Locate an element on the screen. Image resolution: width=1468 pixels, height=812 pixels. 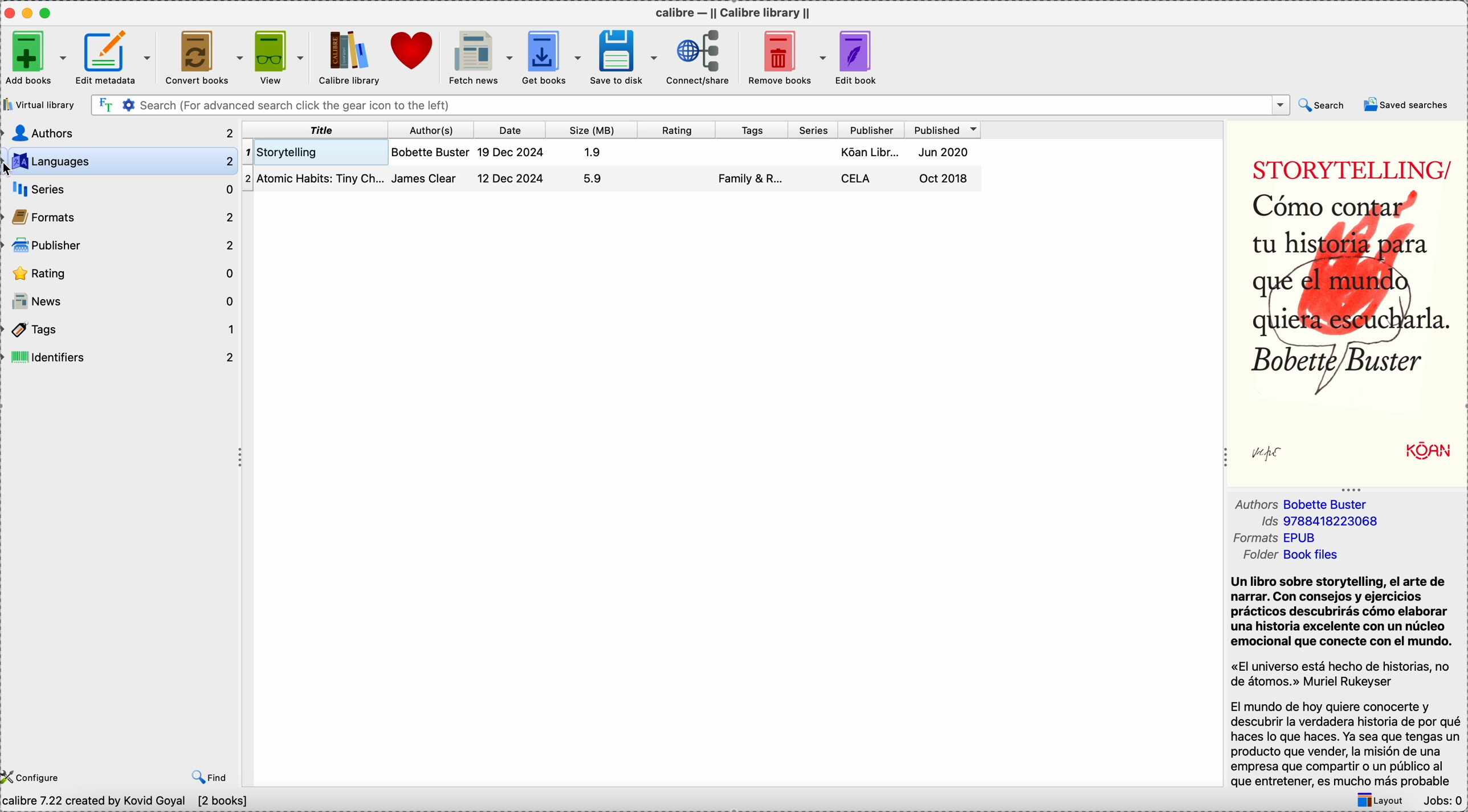
cursor is located at coordinates (9, 169).